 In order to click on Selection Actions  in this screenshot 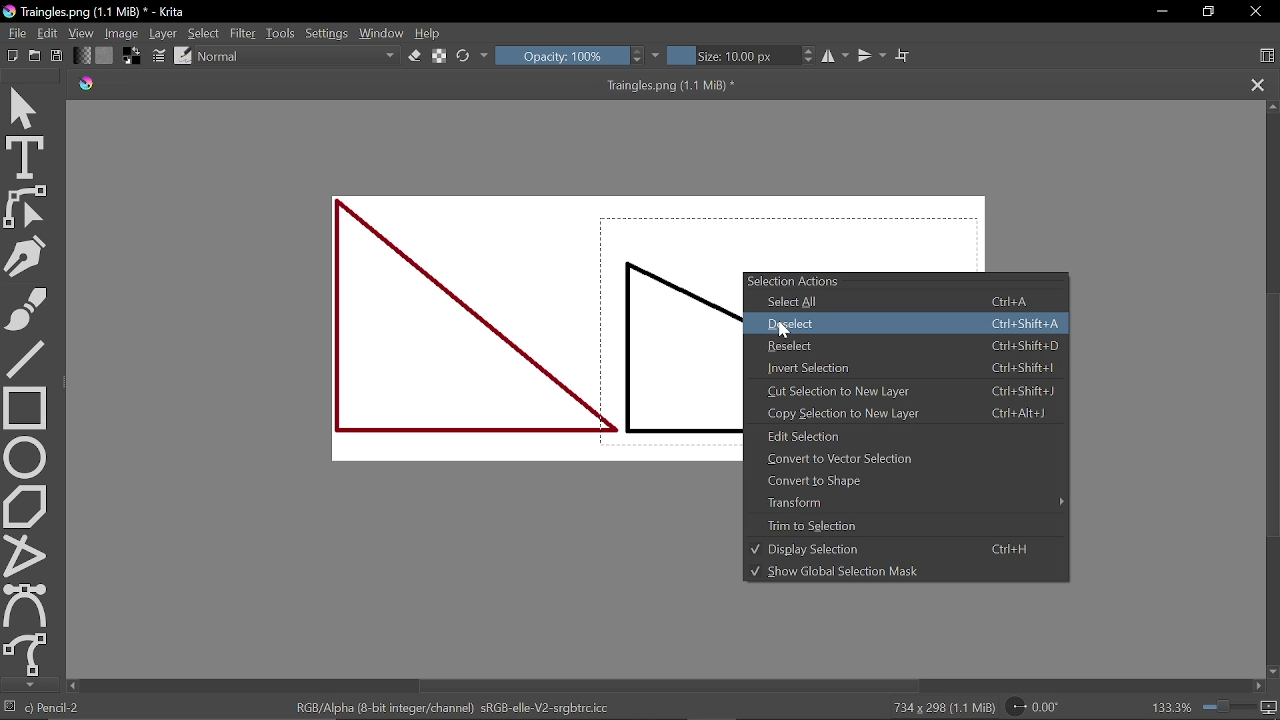, I will do `click(907, 282)`.